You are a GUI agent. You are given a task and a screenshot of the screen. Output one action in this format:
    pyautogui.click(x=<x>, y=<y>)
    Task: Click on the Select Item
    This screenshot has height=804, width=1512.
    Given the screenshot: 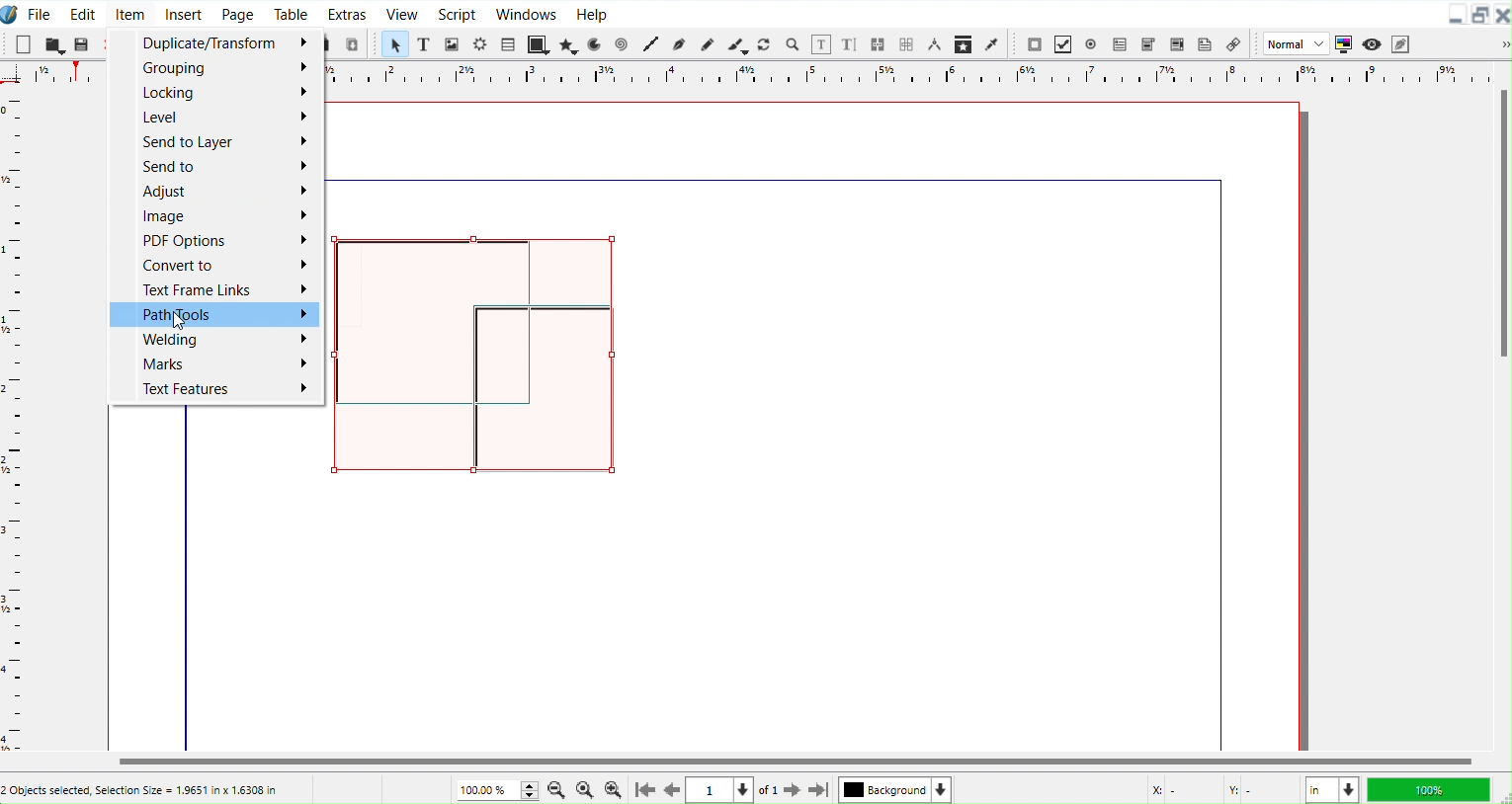 What is the action you would take?
    pyautogui.click(x=395, y=44)
    